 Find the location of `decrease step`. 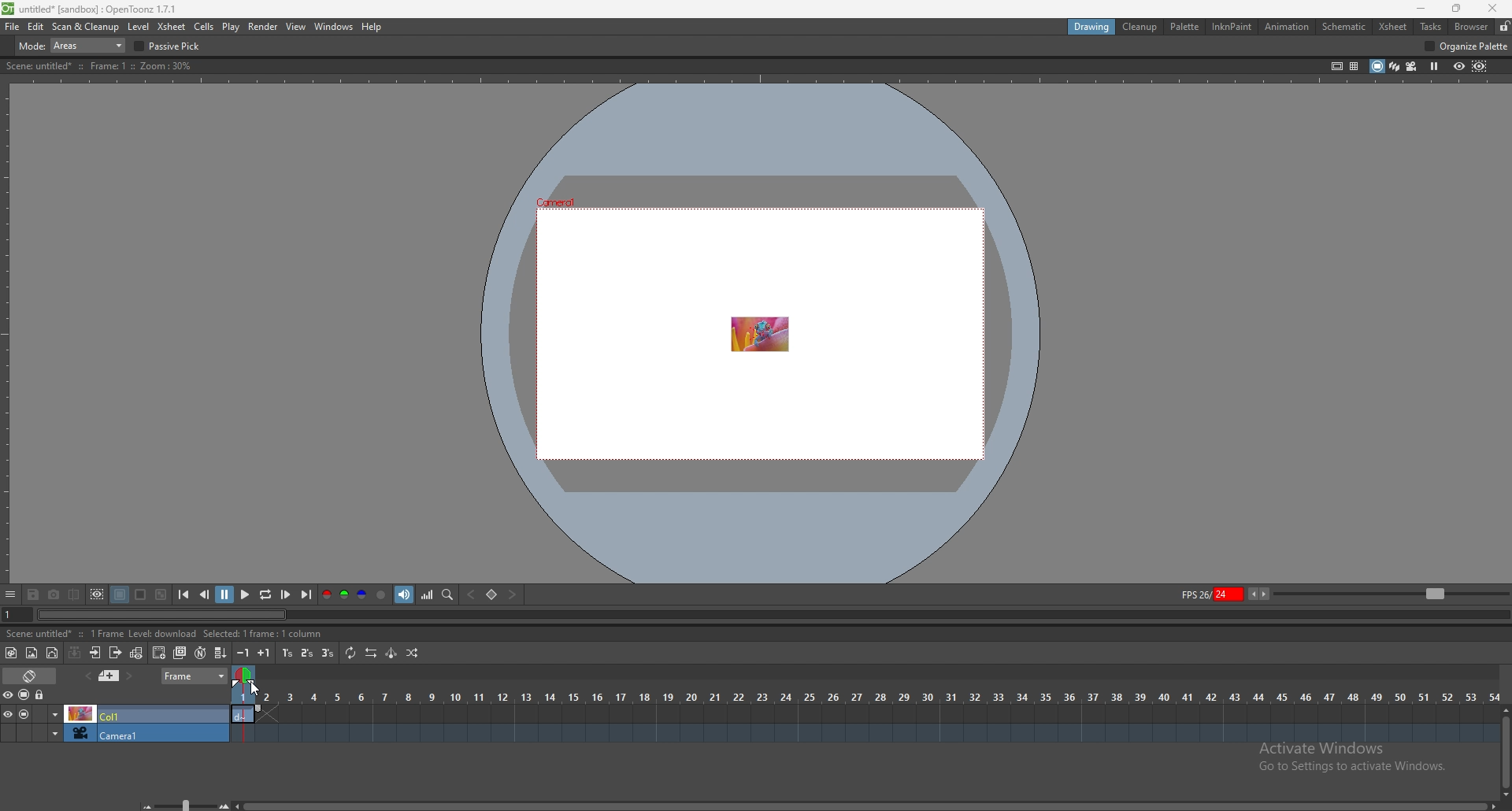

decrease step is located at coordinates (243, 653).